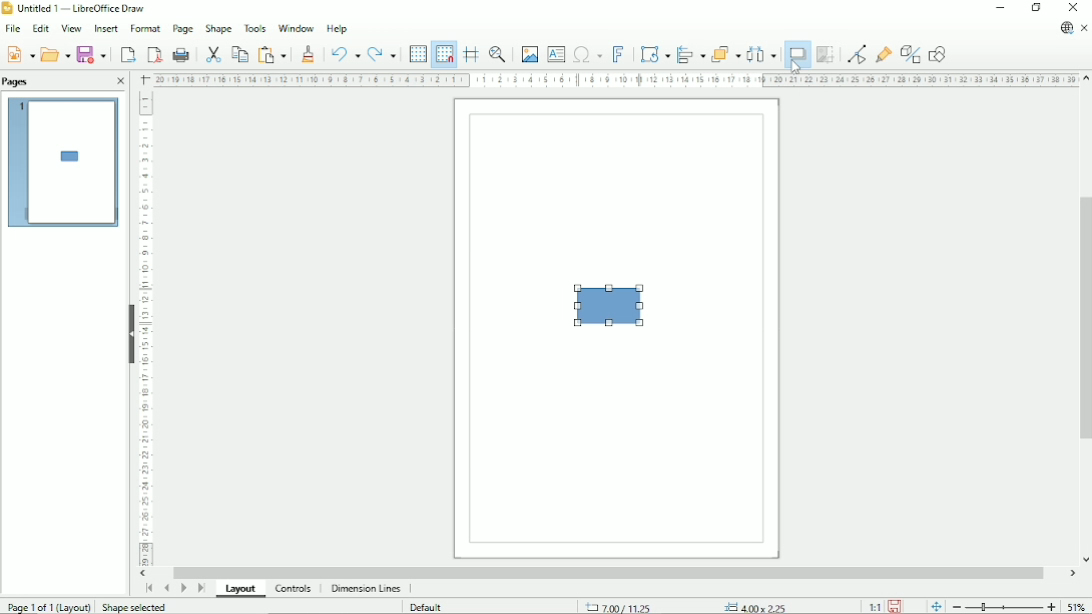 The image size is (1092, 614). Describe the element at coordinates (690, 55) in the screenshot. I see `Align objects` at that location.